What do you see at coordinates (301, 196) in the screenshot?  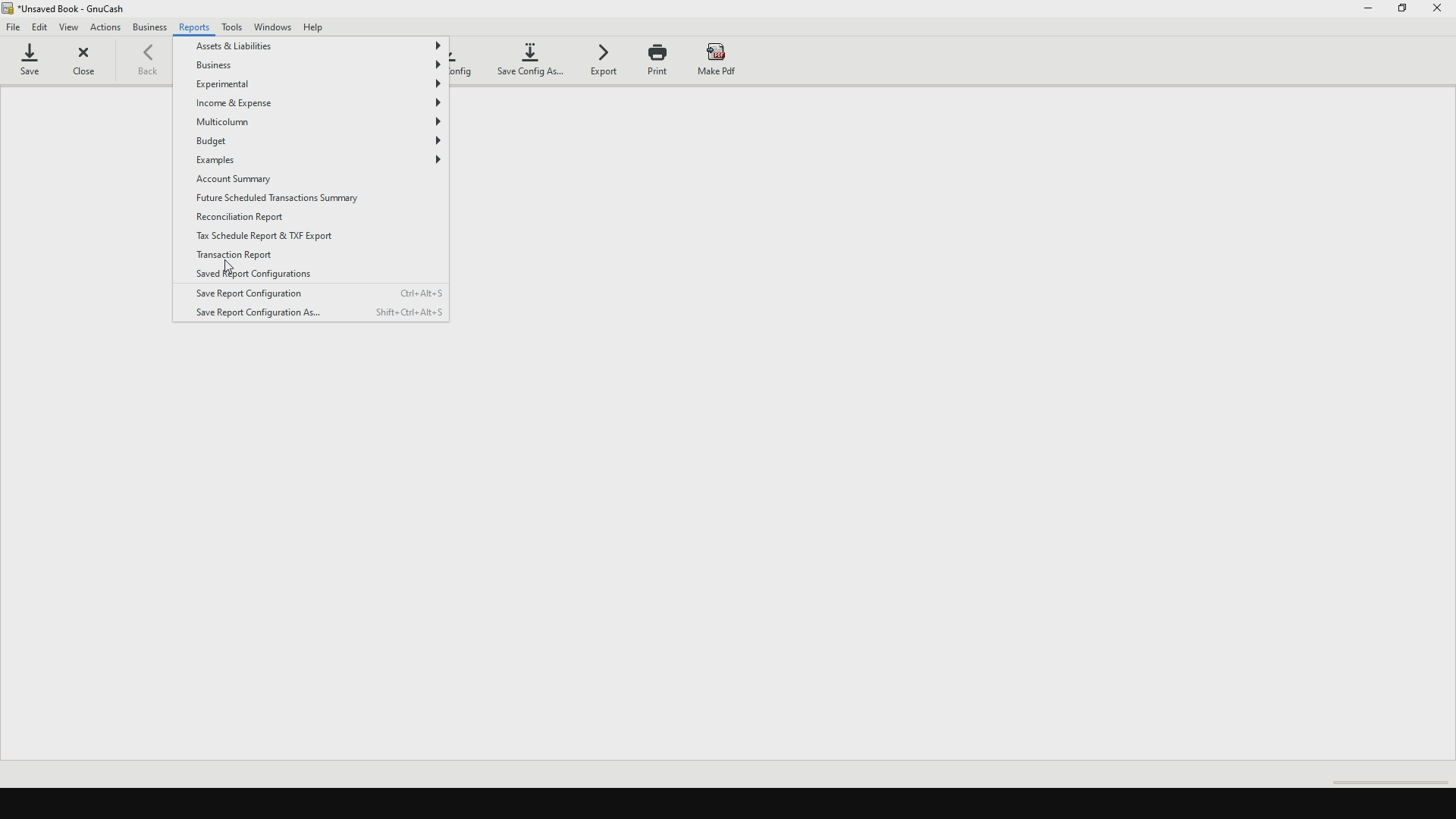 I see `future scheduled transactions summary` at bounding box center [301, 196].